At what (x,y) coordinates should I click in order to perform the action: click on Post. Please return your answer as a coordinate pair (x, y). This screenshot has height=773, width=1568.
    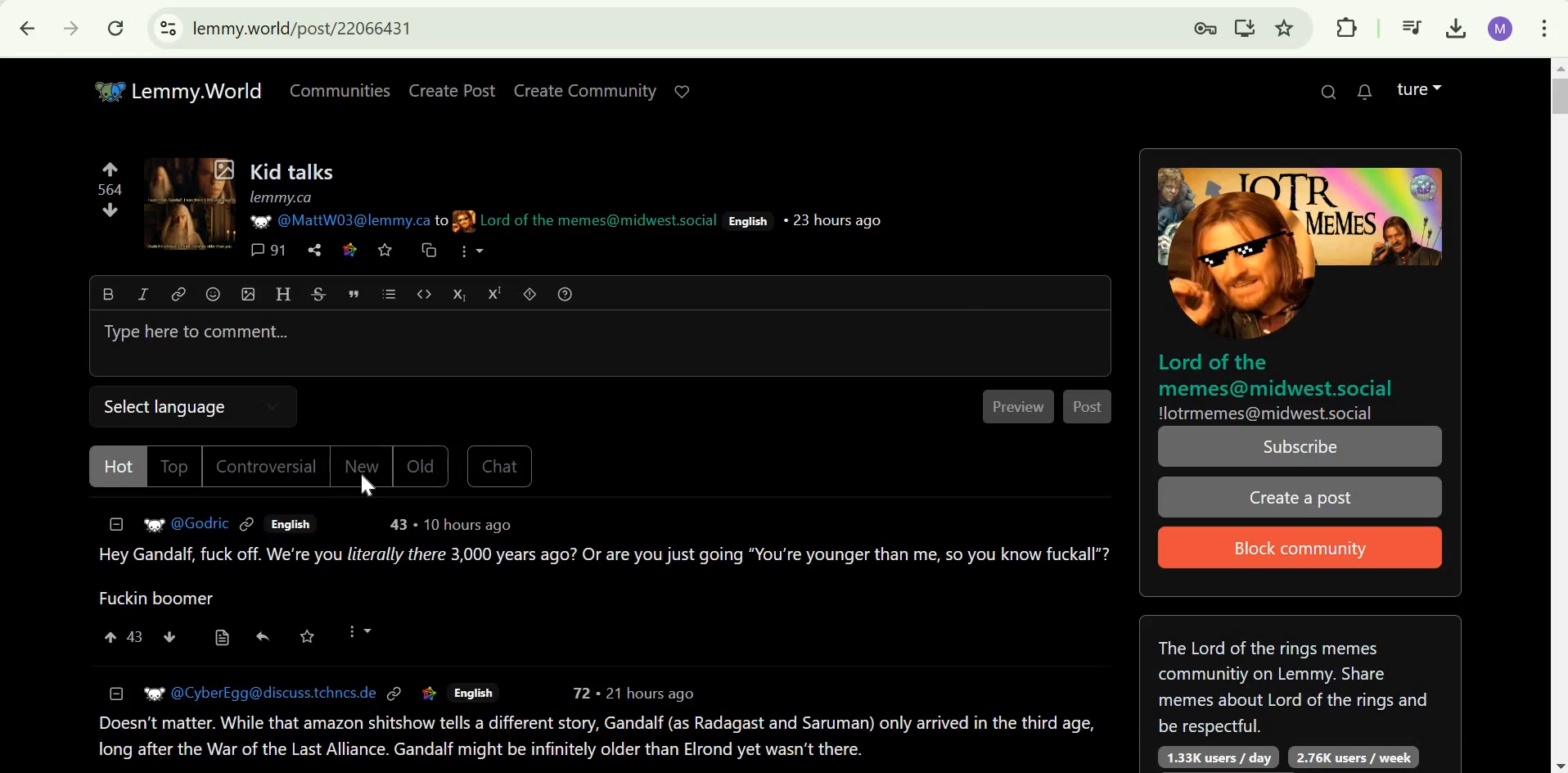
    Looking at the image, I should click on (1088, 408).